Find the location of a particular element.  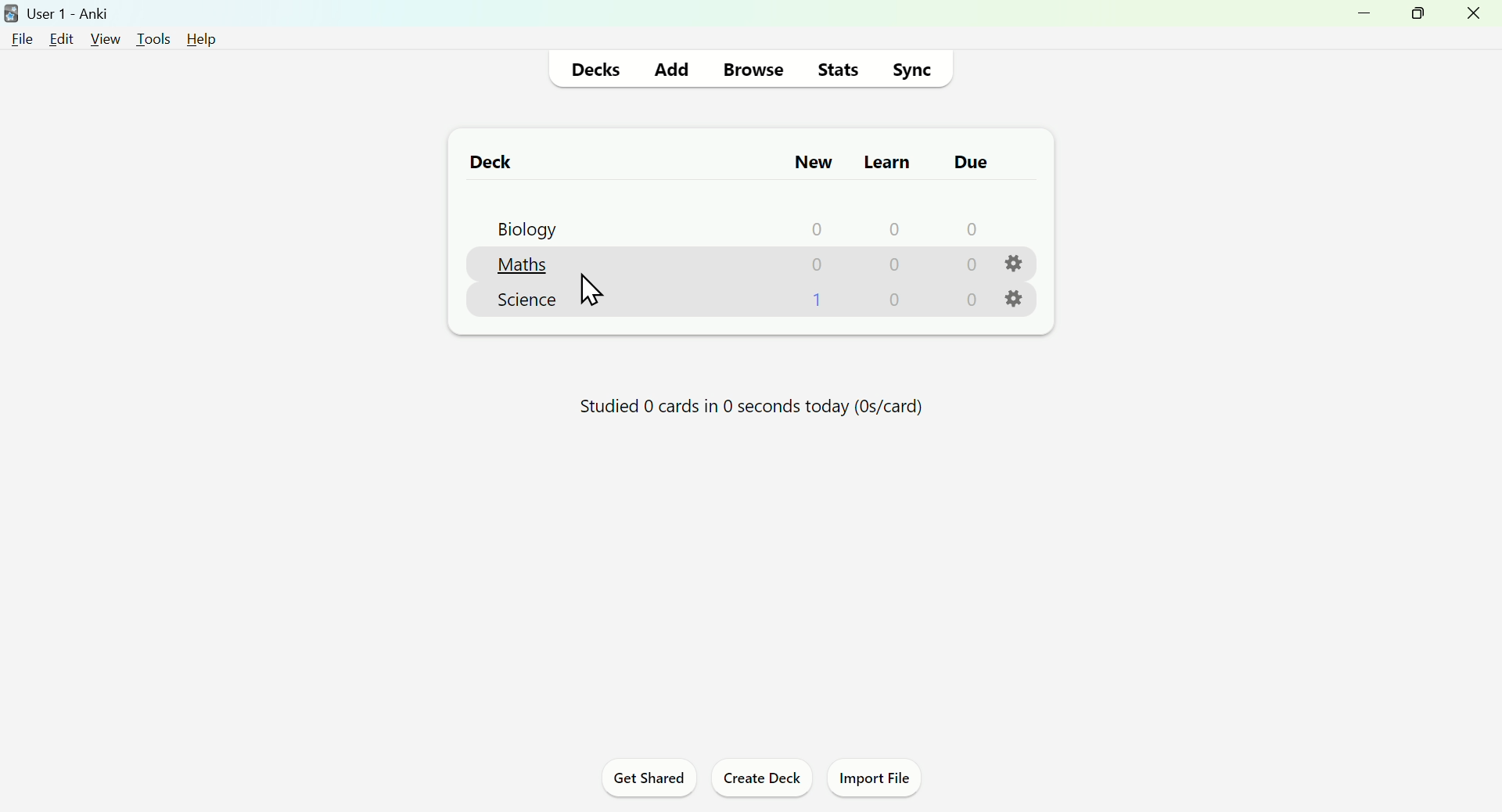

Learn is located at coordinates (886, 158).